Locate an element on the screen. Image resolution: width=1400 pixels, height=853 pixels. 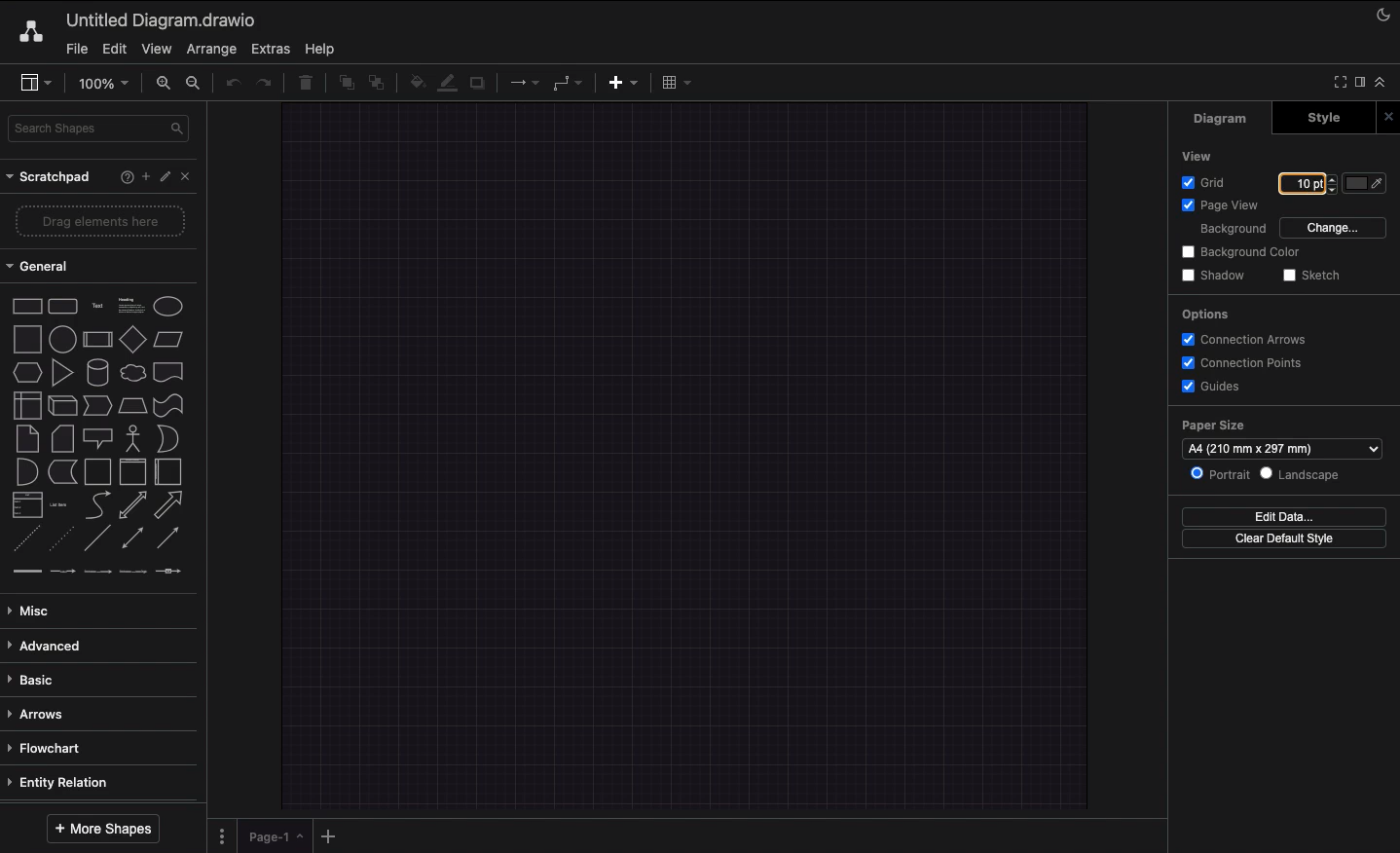
Page 1 is located at coordinates (269, 834).